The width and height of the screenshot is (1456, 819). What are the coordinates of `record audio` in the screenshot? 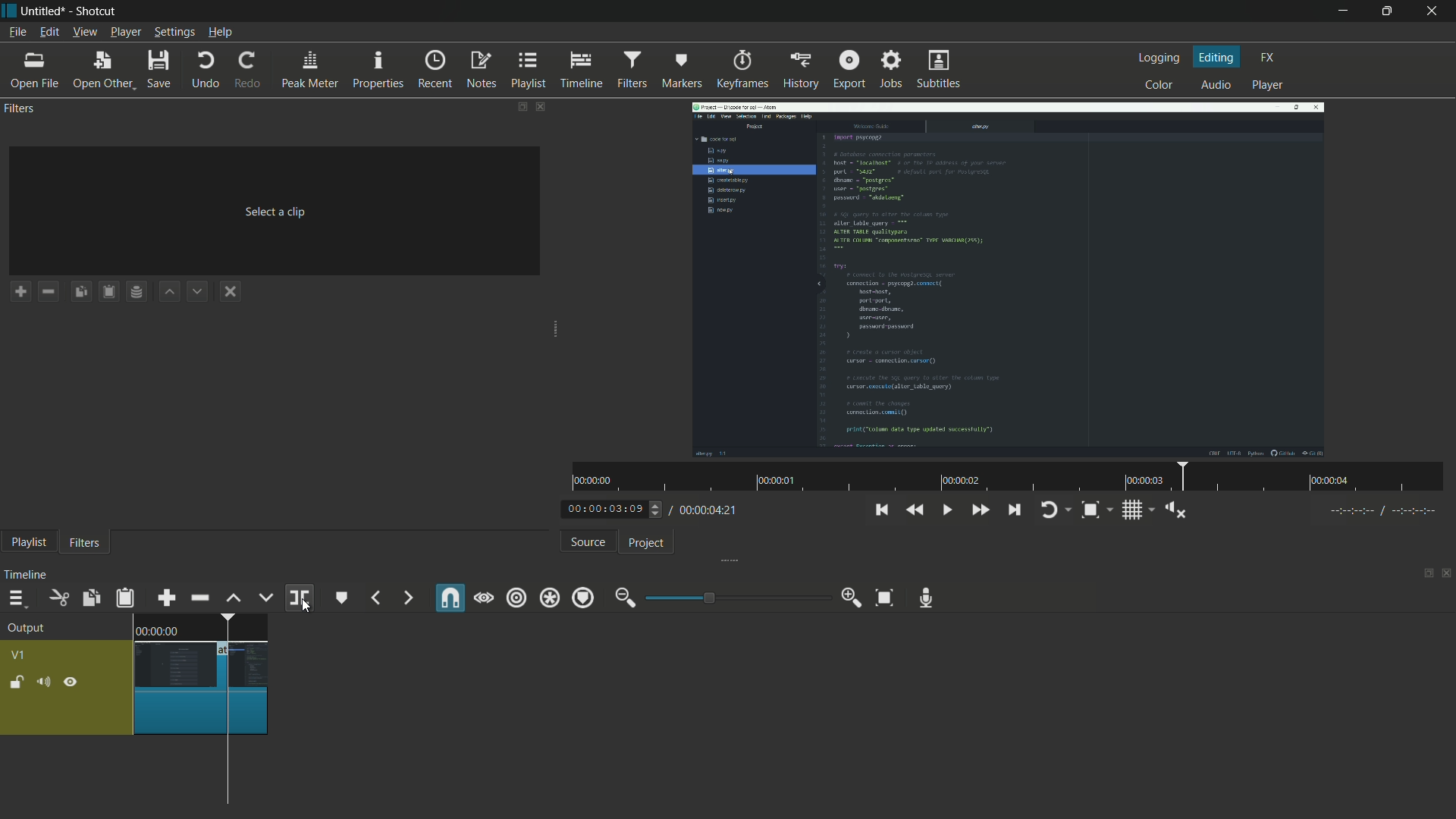 It's located at (925, 598).